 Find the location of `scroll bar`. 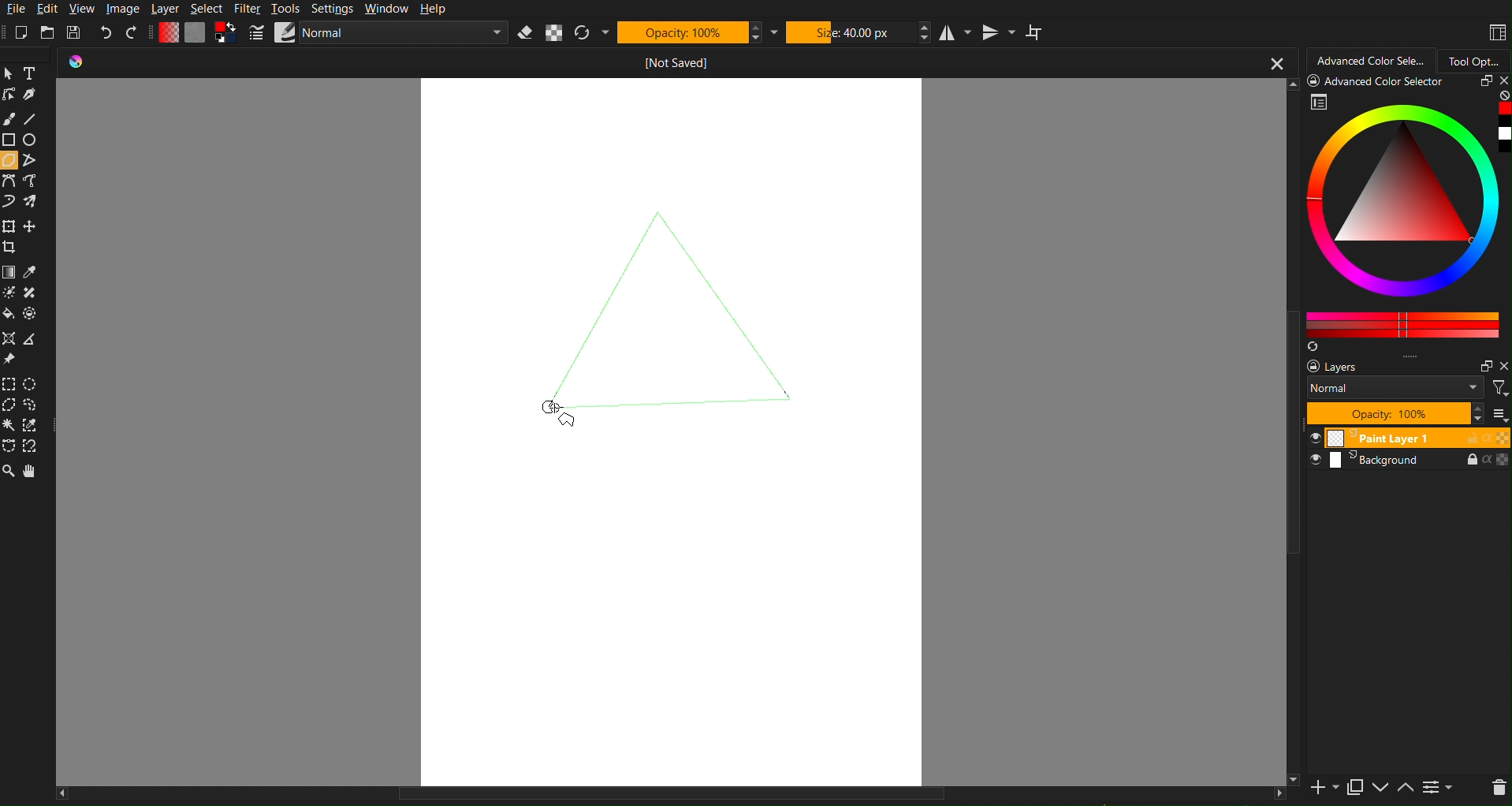

scroll bar is located at coordinates (1293, 432).